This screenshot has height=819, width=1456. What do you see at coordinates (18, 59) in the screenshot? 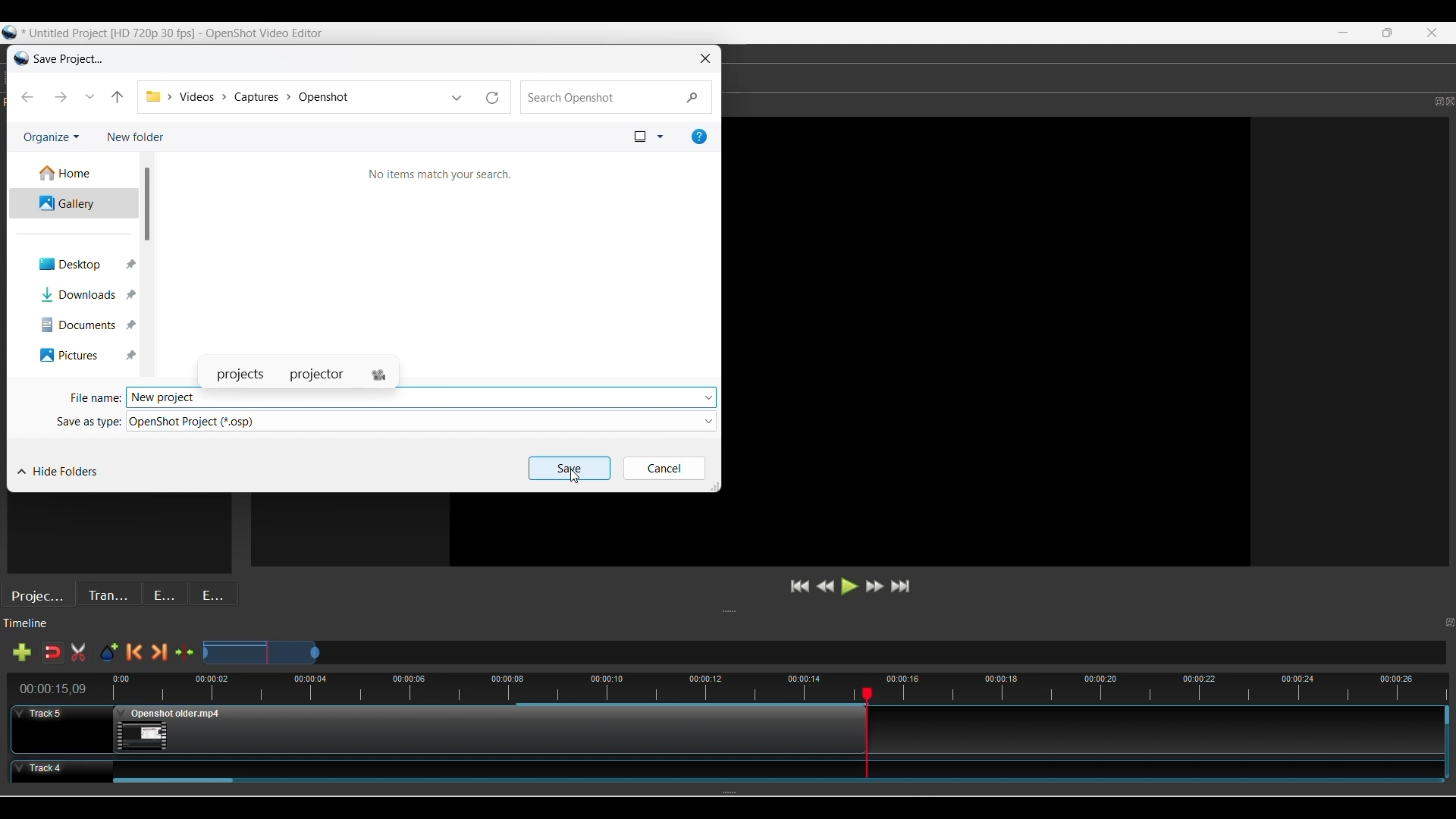
I see `Software logo` at bounding box center [18, 59].